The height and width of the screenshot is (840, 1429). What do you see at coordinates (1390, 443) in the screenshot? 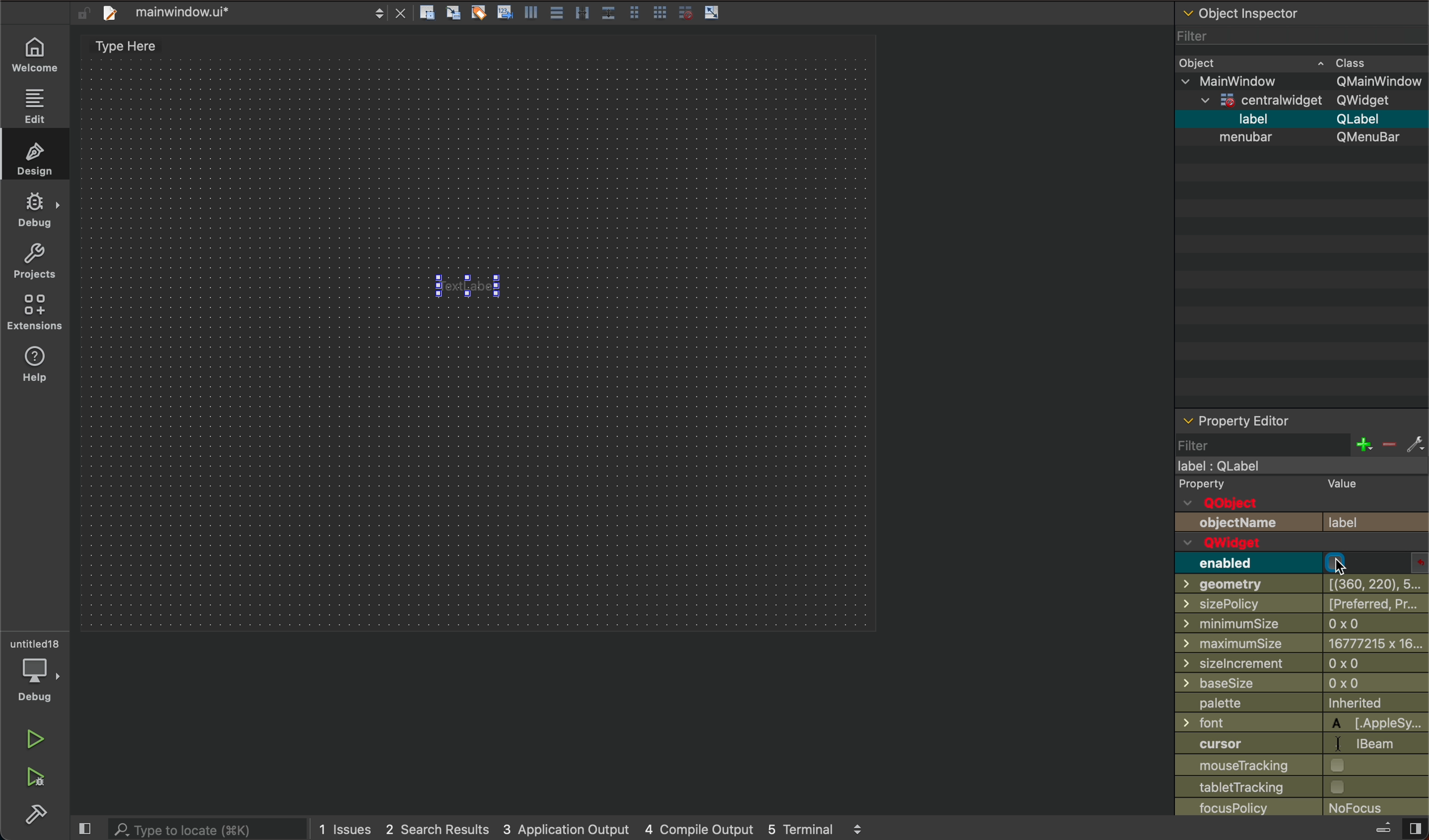
I see `decrease` at bounding box center [1390, 443].